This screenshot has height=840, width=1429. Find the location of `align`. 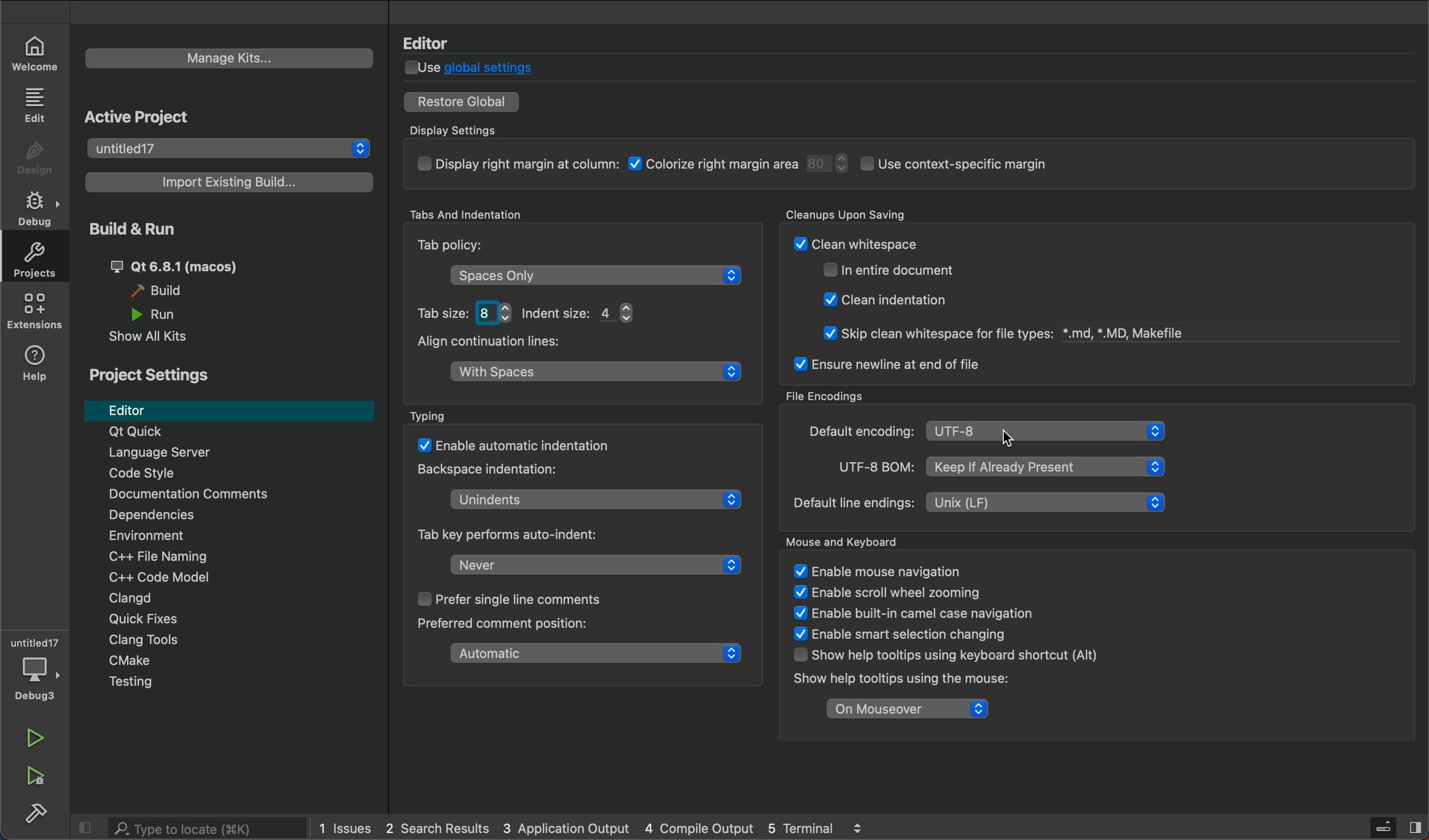

align is located at coordinates (598, 376).